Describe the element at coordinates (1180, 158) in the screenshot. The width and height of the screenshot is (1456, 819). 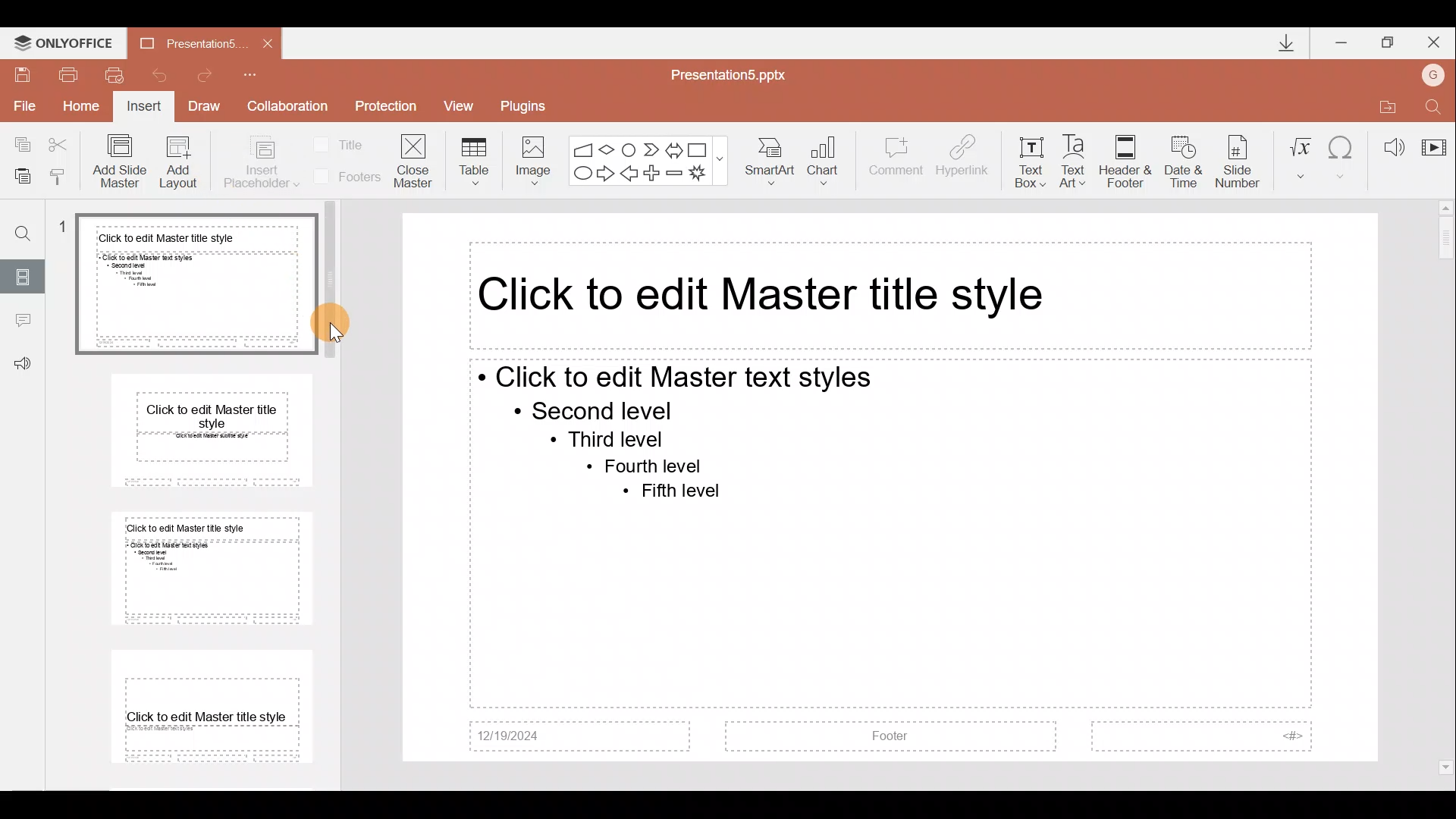
I see `Date & time` at that location.